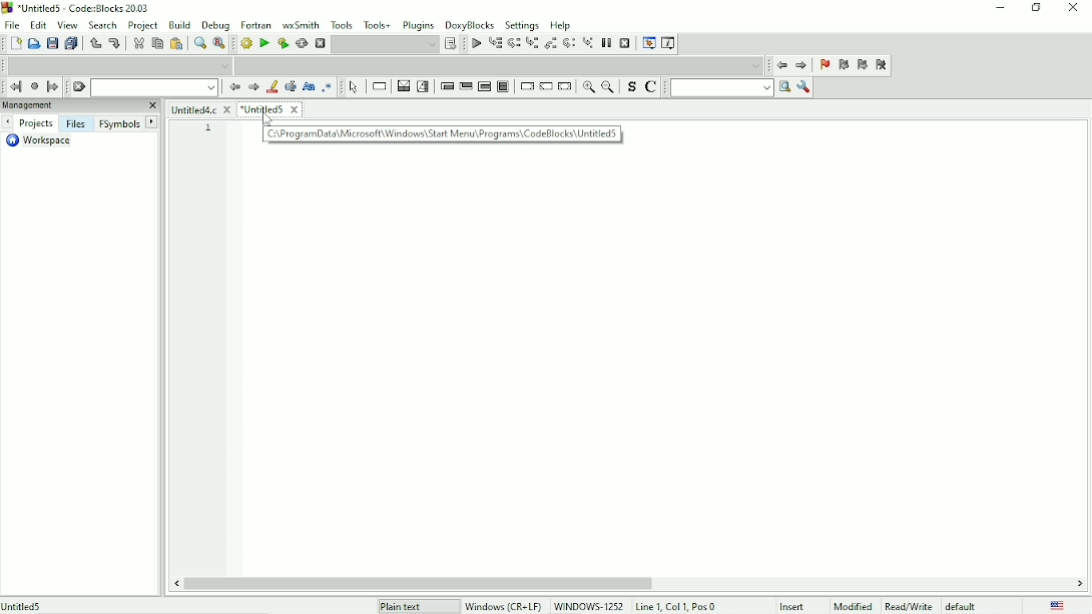 This screenshot has width=1092, height=614. Describe the element at coordinates (721, 88) in the screenshot. I see `Run search` at that location.